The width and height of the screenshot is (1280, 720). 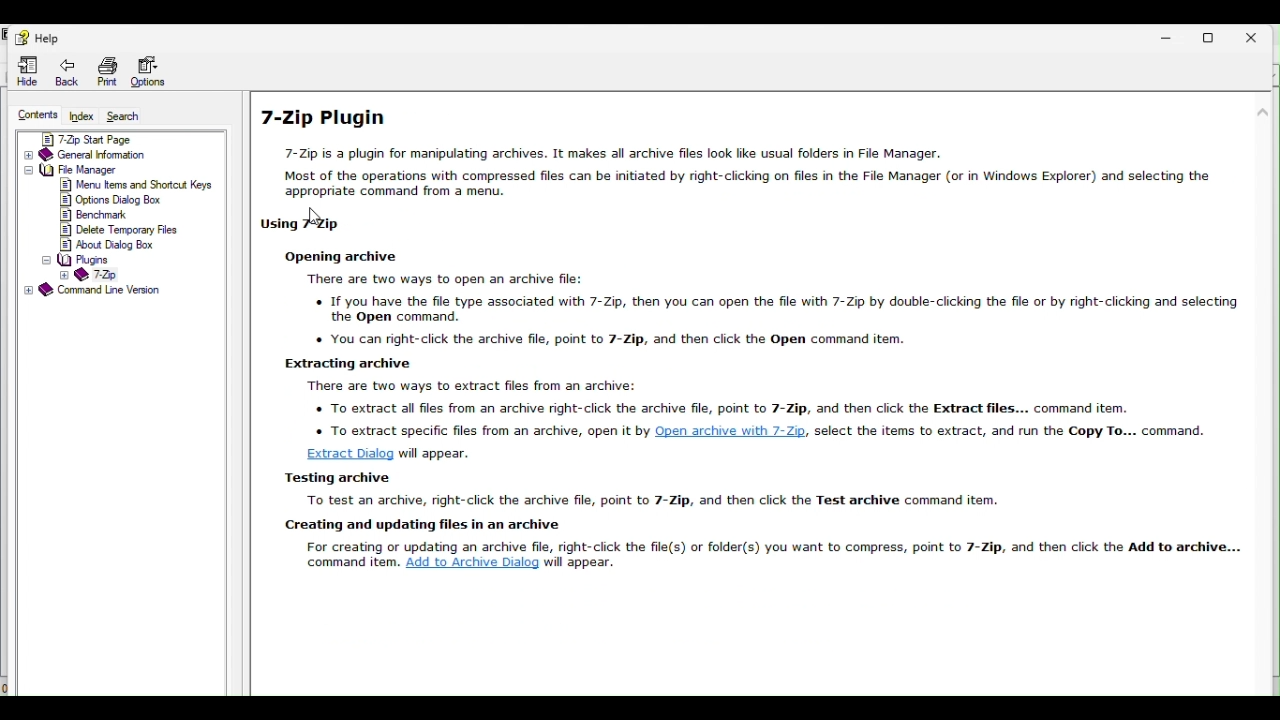 I want to click on Testing archive, so click(x=337, y=479).